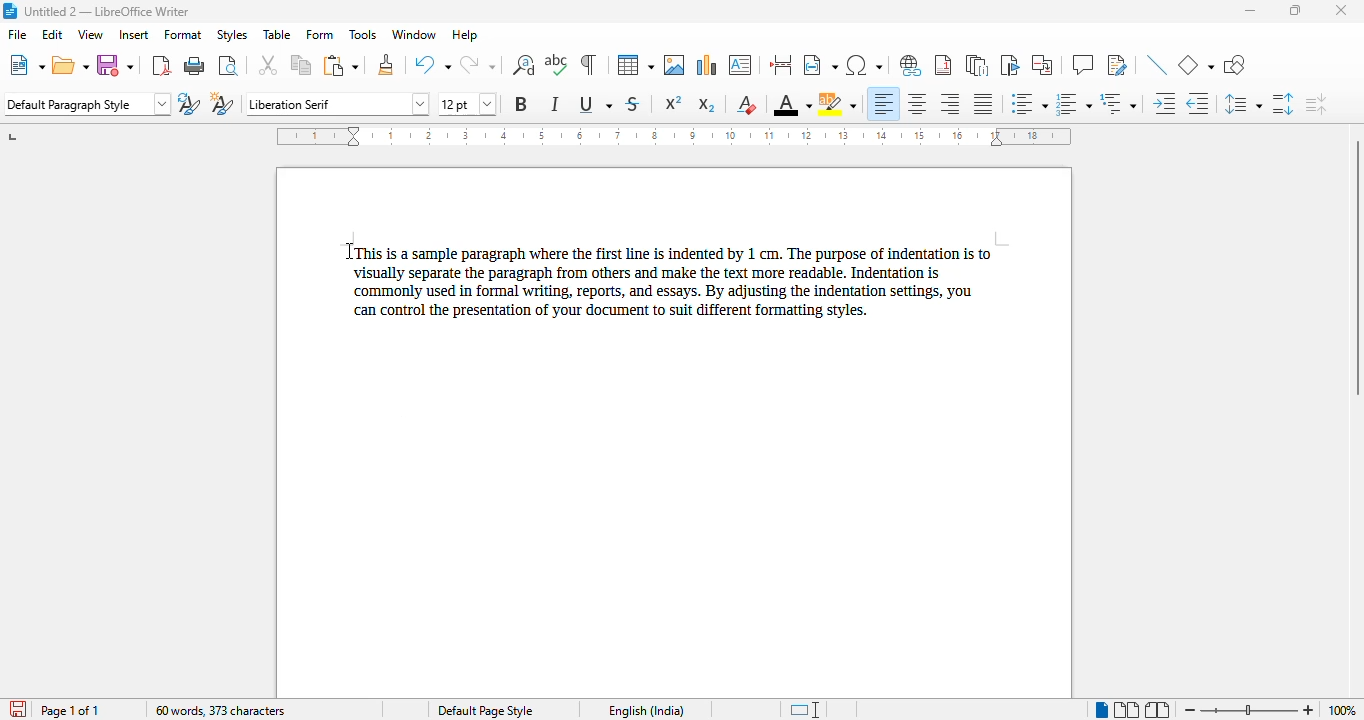  Describe the element at coordinates (633, 104) in the screenshot. I see `strikethrough` at that location.